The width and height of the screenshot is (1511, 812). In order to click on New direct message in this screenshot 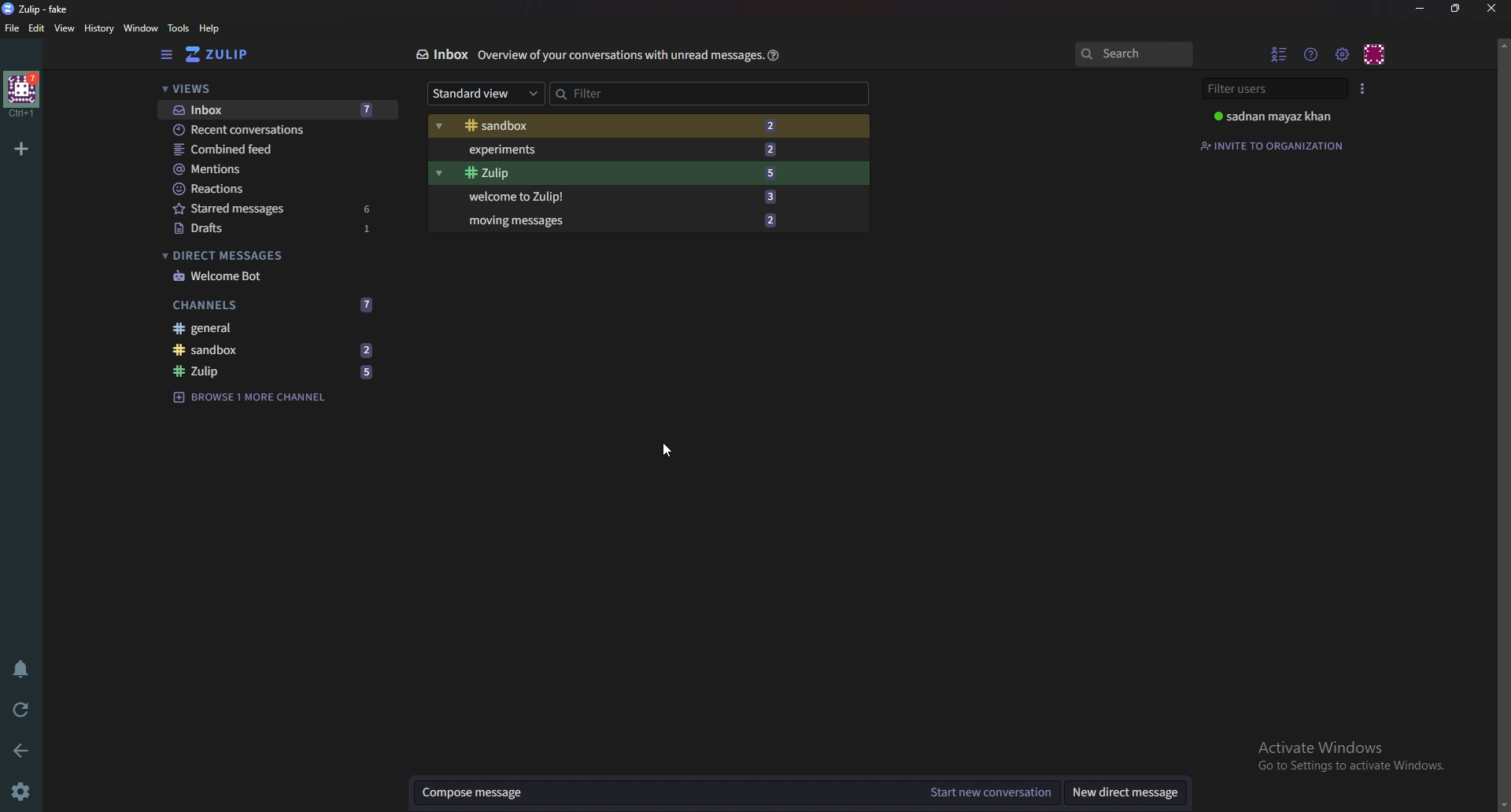, I will do `click(1120, 794)`.